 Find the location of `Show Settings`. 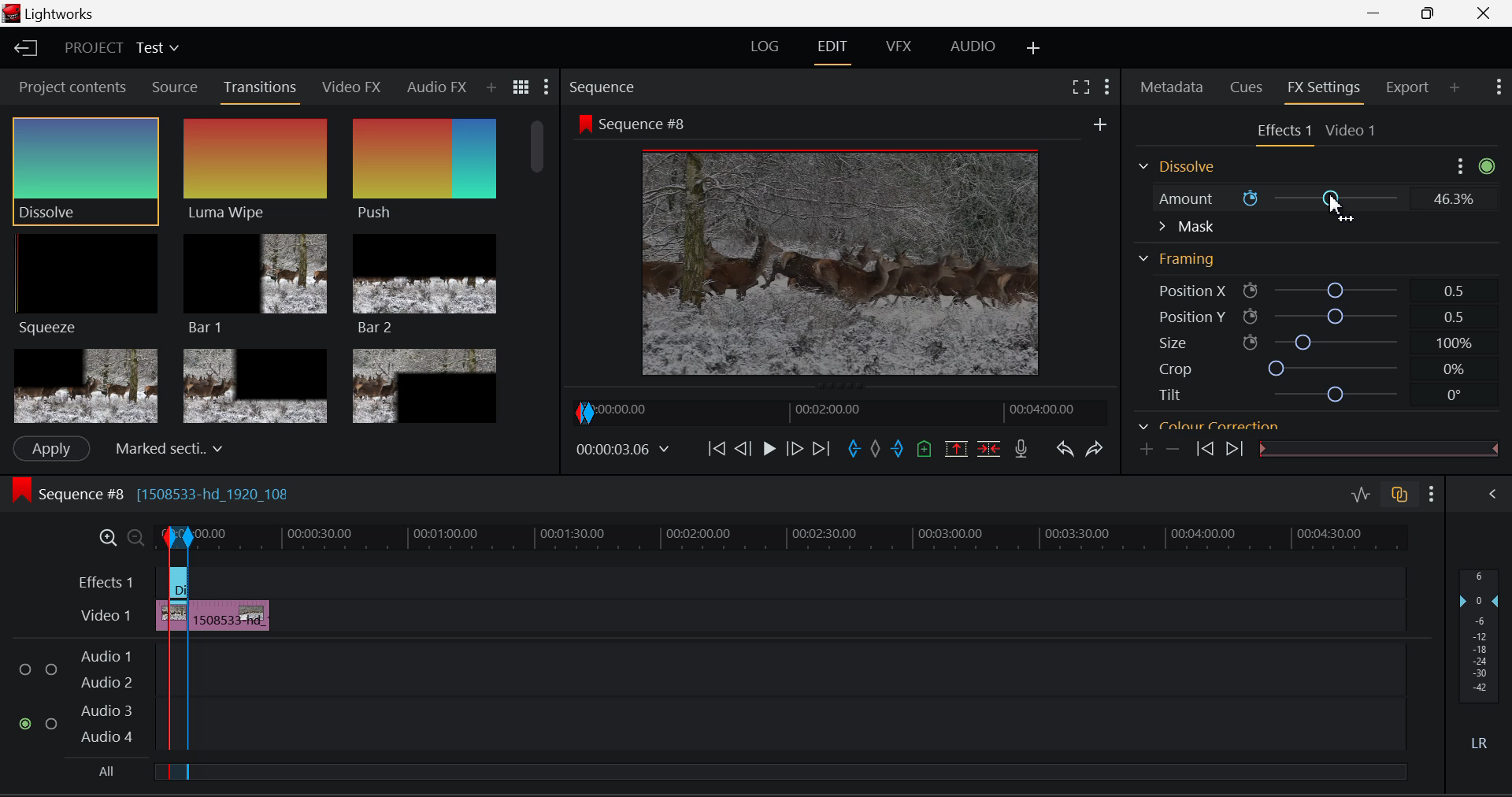

Show Settings is located at coordinates (1432, 494).